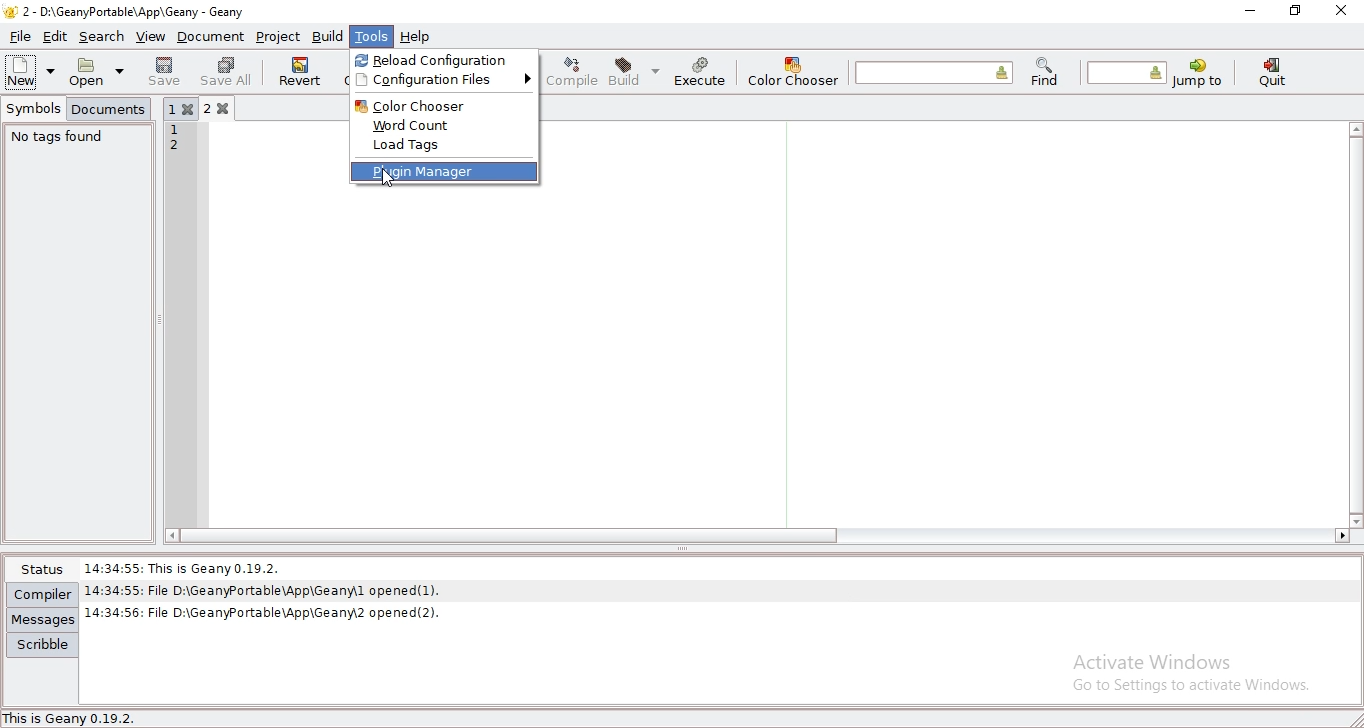  Describe the element at coordinates (1296, 10) in the screenshot. I see `restore window` at that location.